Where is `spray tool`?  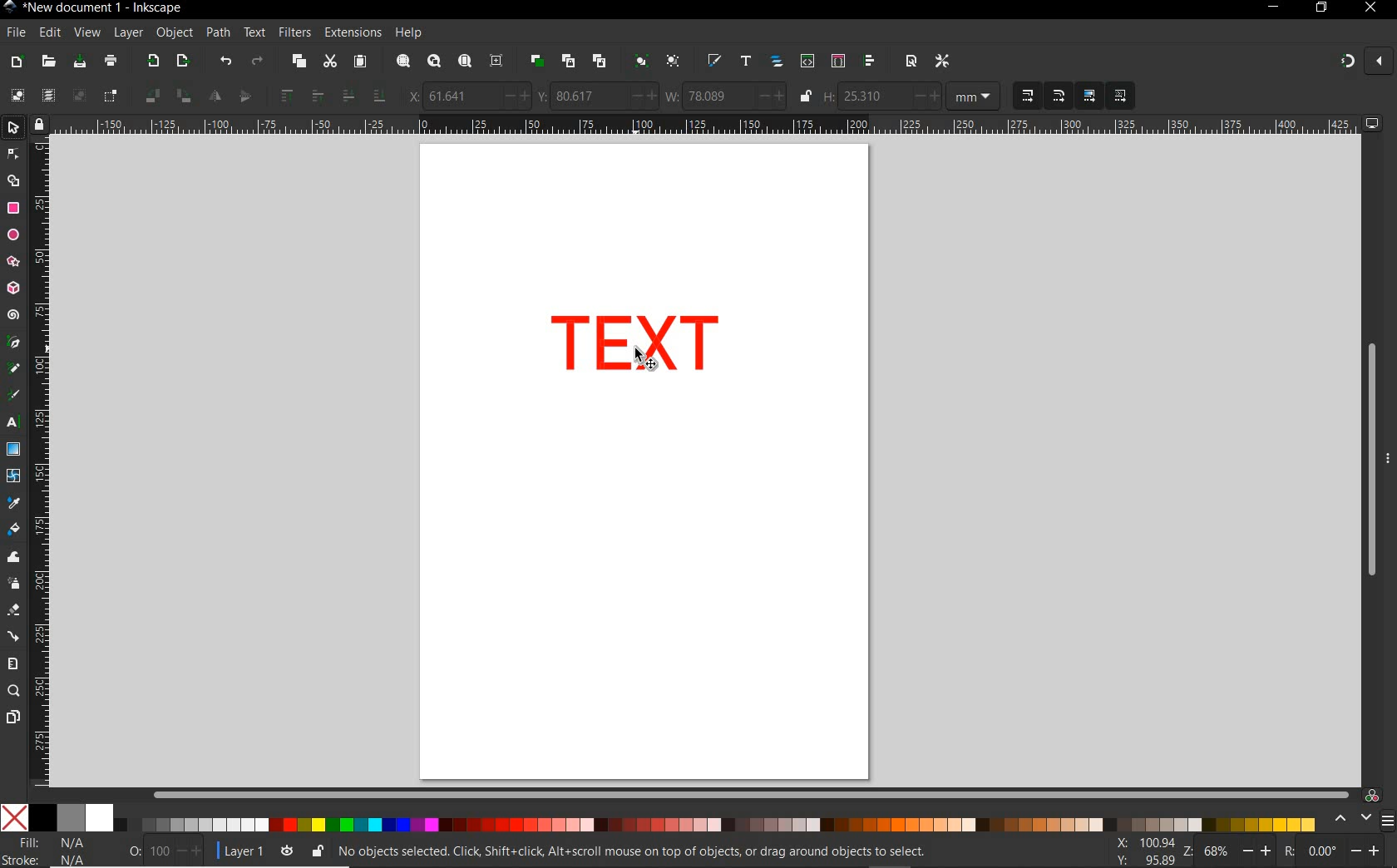 spray tool is located at coordinates (13, 583).